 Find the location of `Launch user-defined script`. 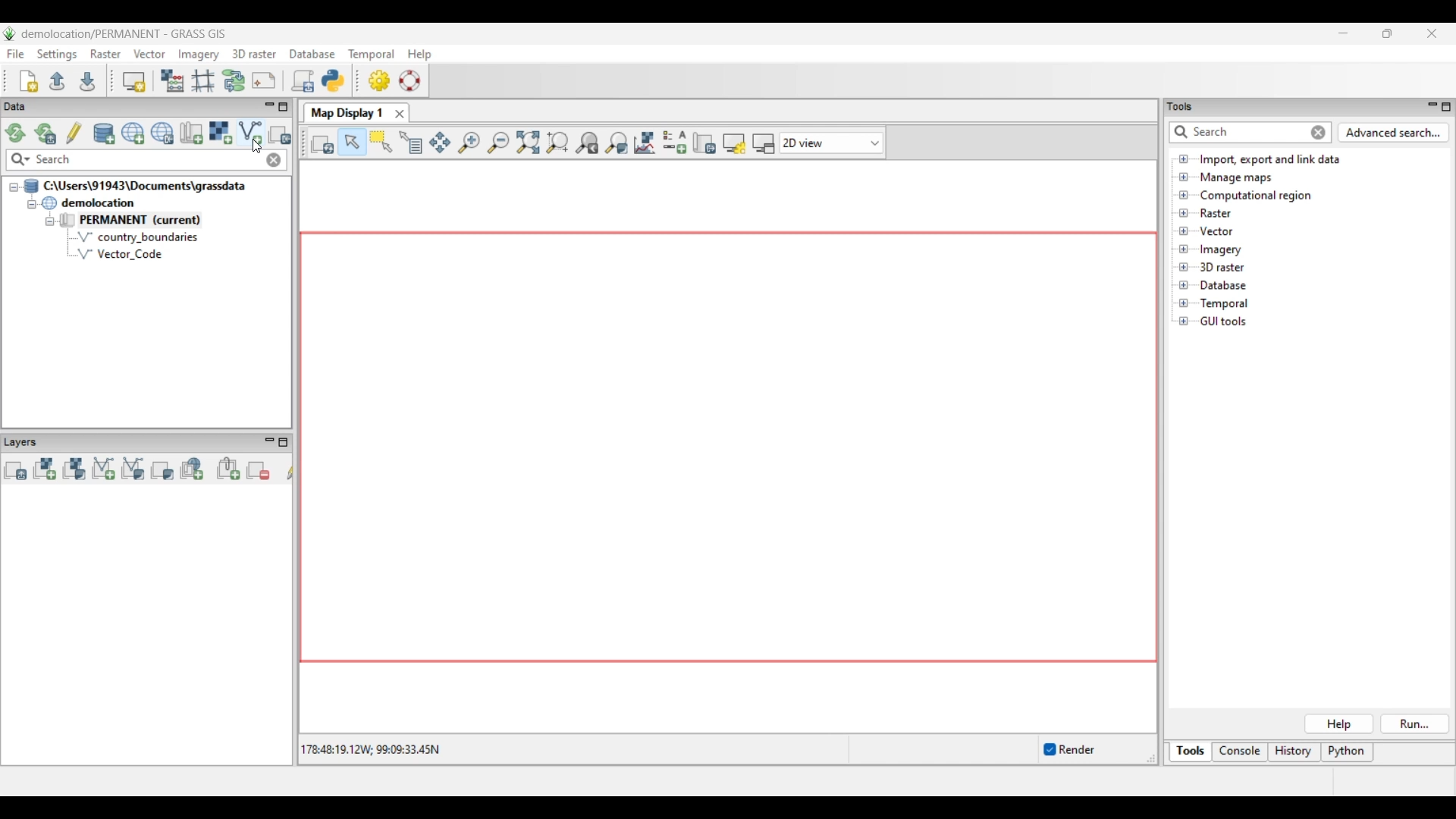

Launch user-defined script is located at coordinates (302, 80).